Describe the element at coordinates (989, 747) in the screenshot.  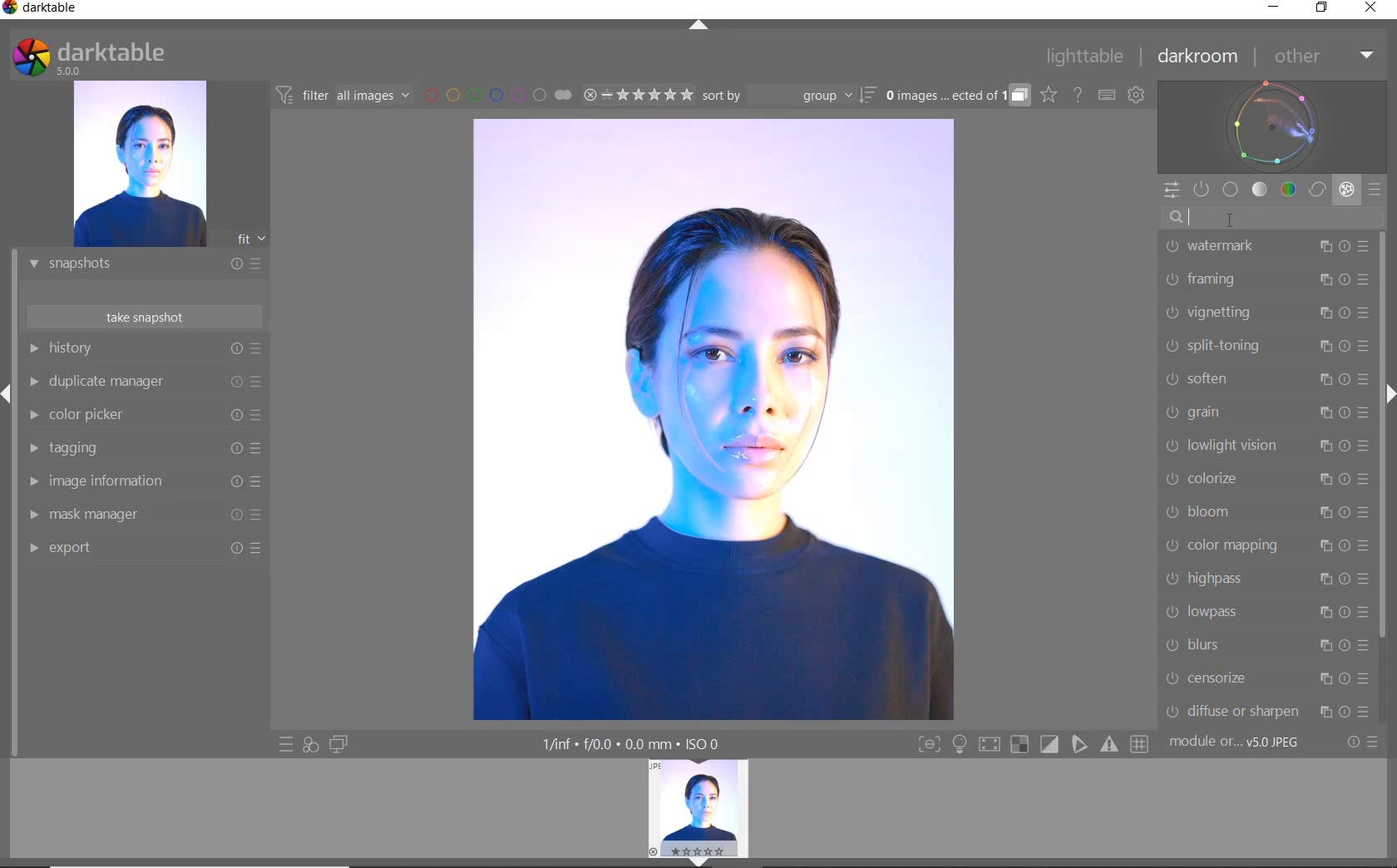
I see `Button` at that location.